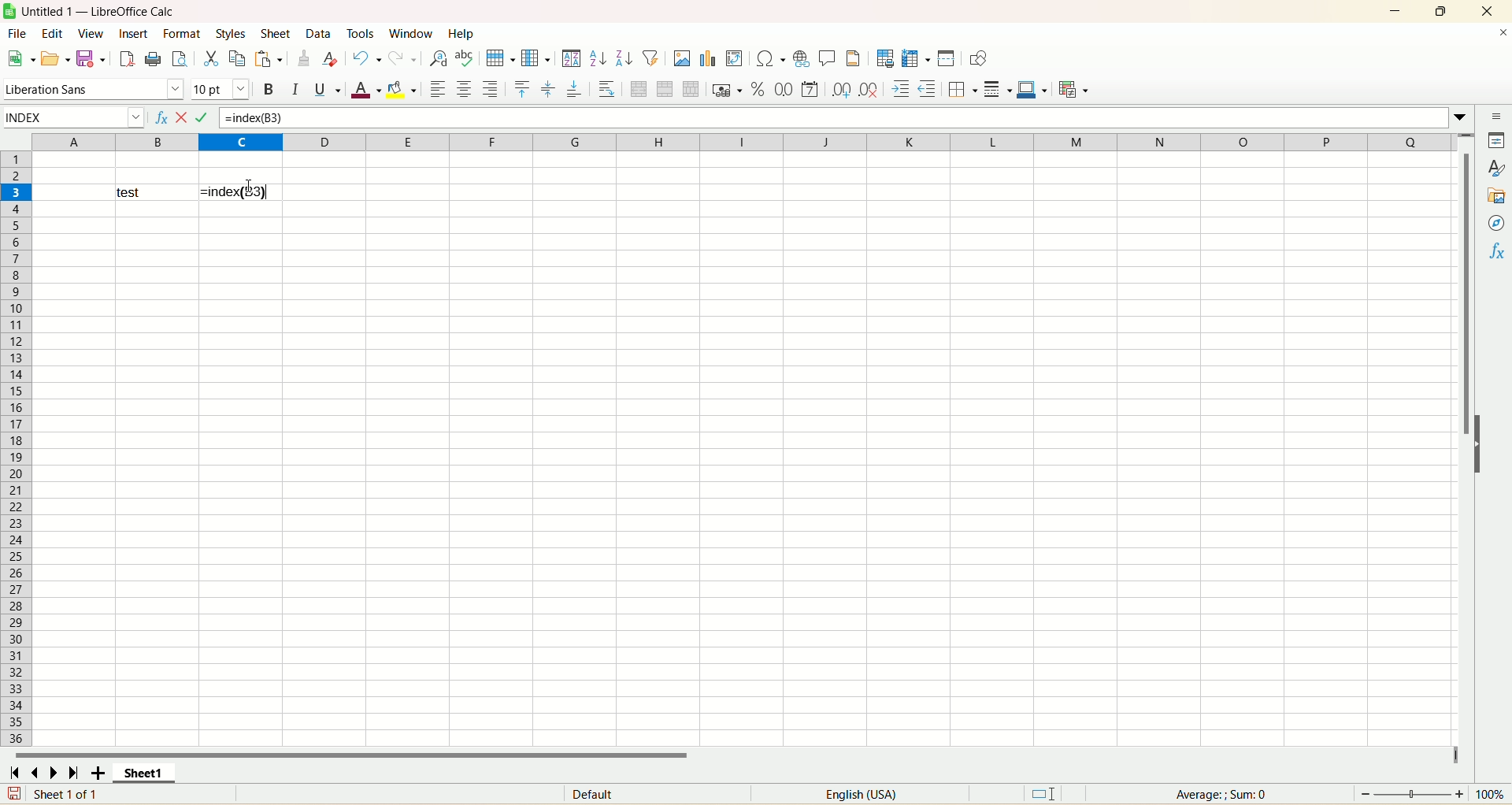 This screenshot has height=805, width=1512. I want to click on format as currency, so click(728, 89).